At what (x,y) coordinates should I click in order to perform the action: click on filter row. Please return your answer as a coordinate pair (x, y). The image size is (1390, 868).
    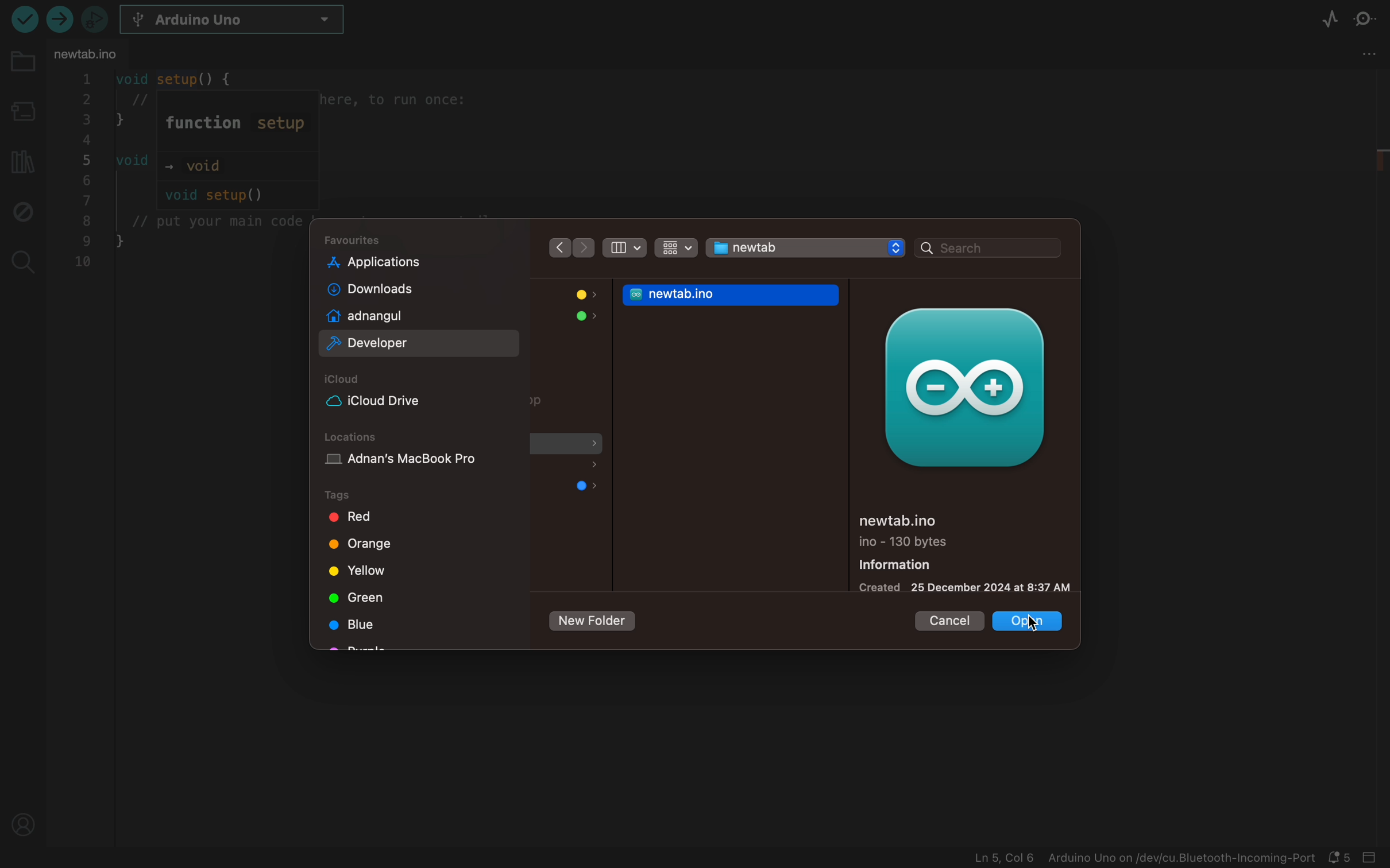
    Looking at the image, I should click on (675, 250).